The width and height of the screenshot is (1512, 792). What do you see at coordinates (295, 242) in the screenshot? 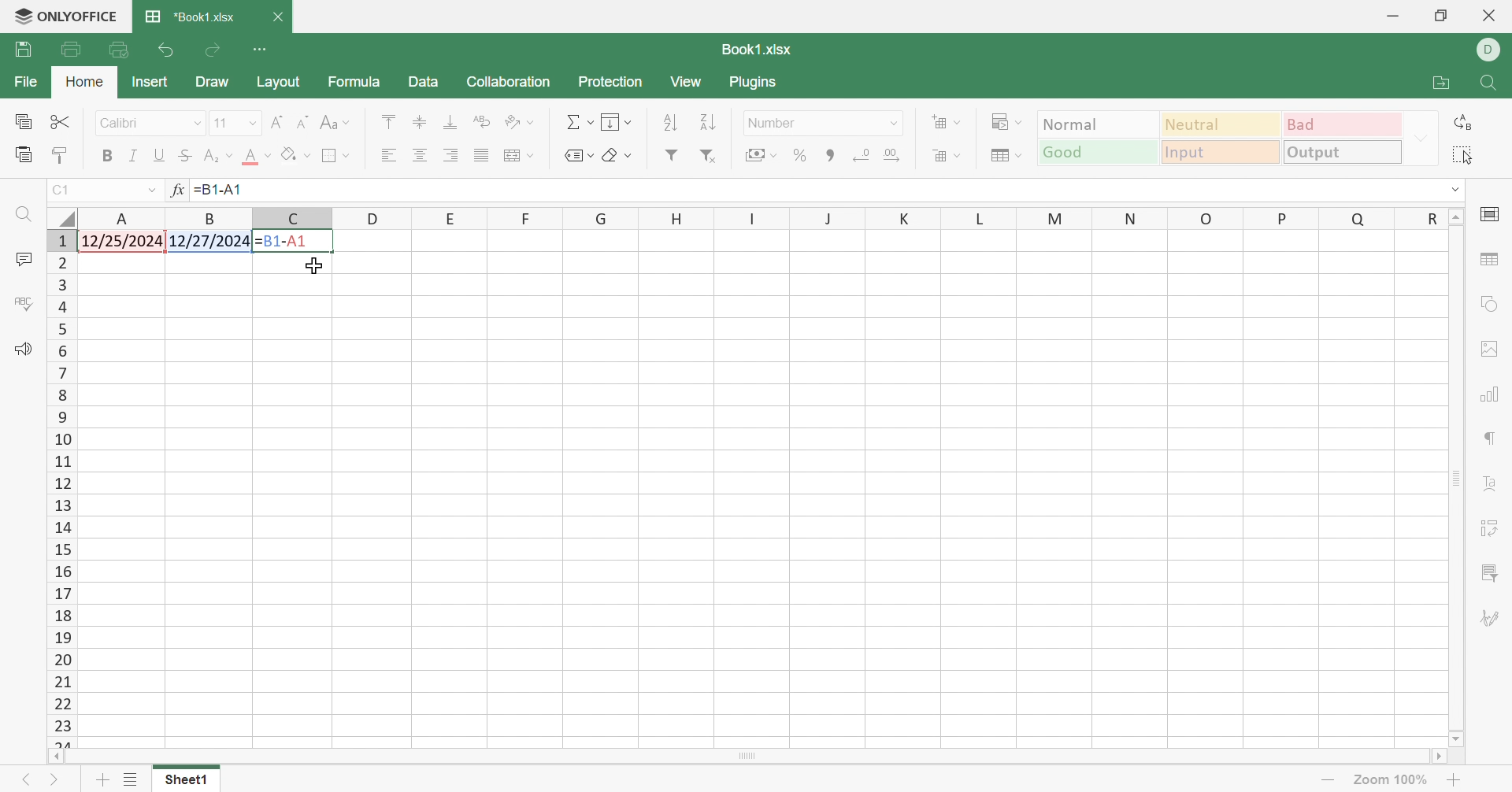
I see `=B1-A1` at bounding box center [295, 242].